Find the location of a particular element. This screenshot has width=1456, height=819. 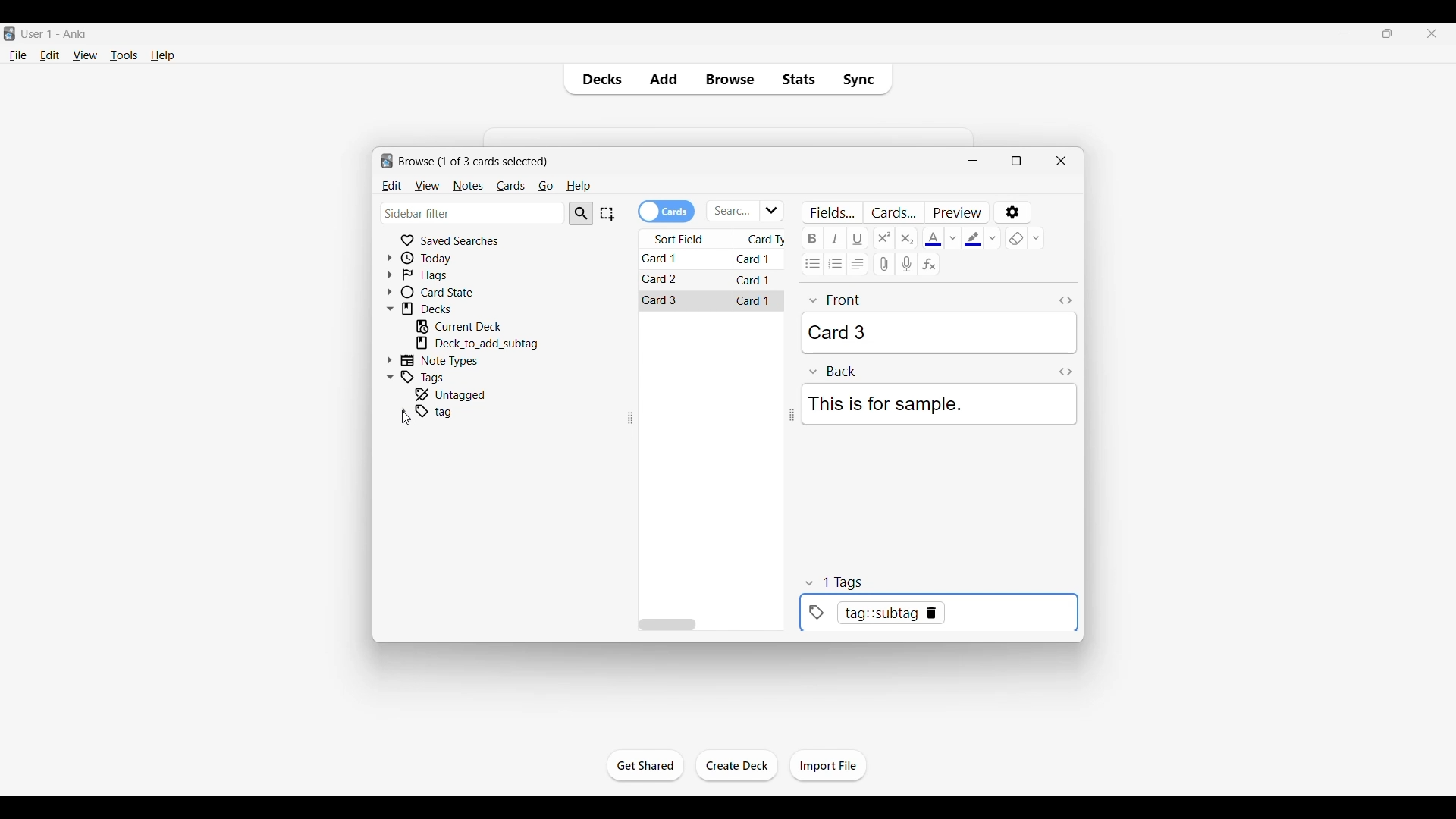

View menu is located at coordinates (86, 55).